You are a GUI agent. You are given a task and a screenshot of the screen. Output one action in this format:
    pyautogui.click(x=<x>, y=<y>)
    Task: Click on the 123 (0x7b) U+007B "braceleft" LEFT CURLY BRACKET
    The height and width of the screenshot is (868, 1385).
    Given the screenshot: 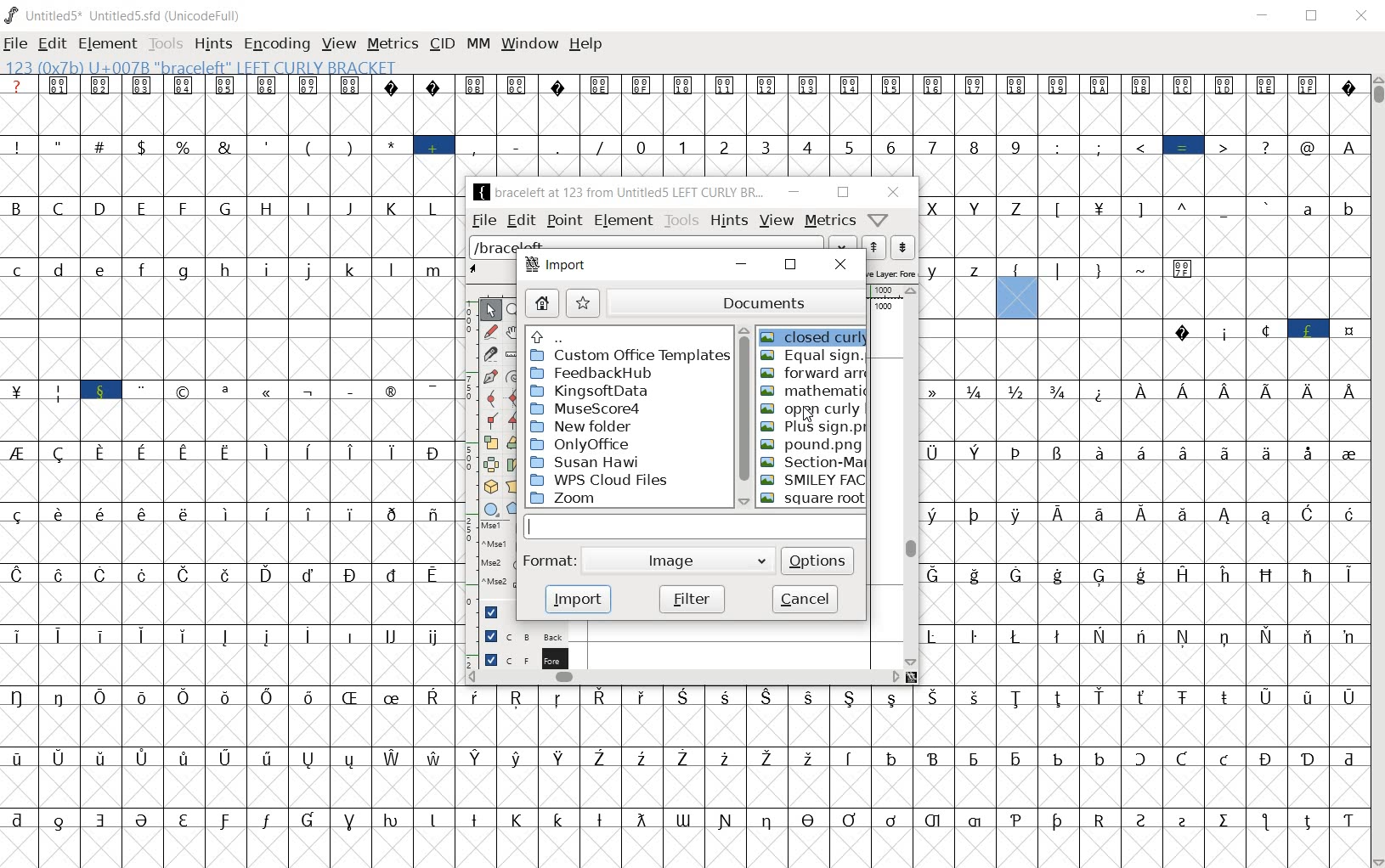 What is the action you would take?
    pyautogui.click(x=1018, y=296)
    